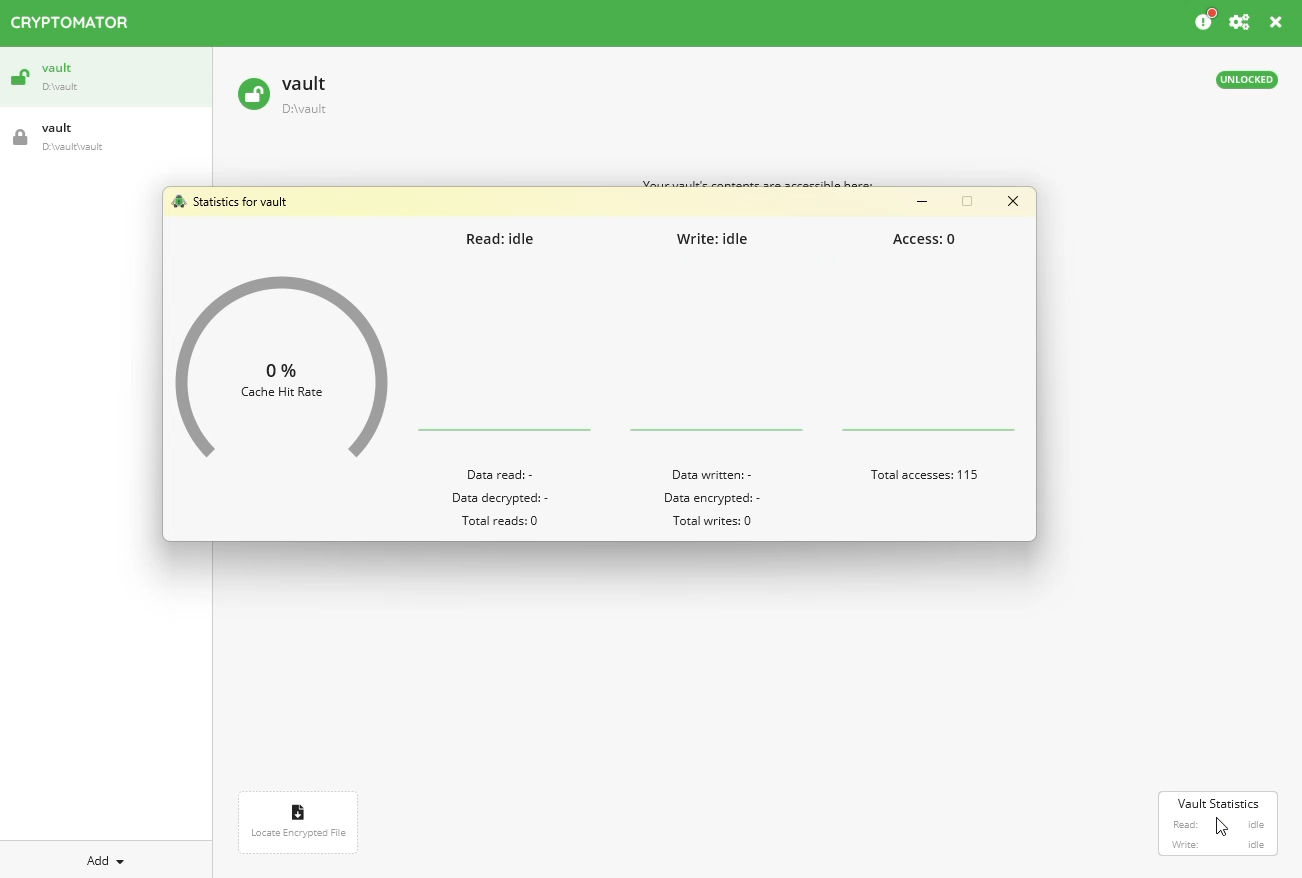 The width and height of the screenshot is (1302, 878). What do you see at coordinates (502, 521) in the screenshot?
I see `total reads` at bounding box center [502, 521].